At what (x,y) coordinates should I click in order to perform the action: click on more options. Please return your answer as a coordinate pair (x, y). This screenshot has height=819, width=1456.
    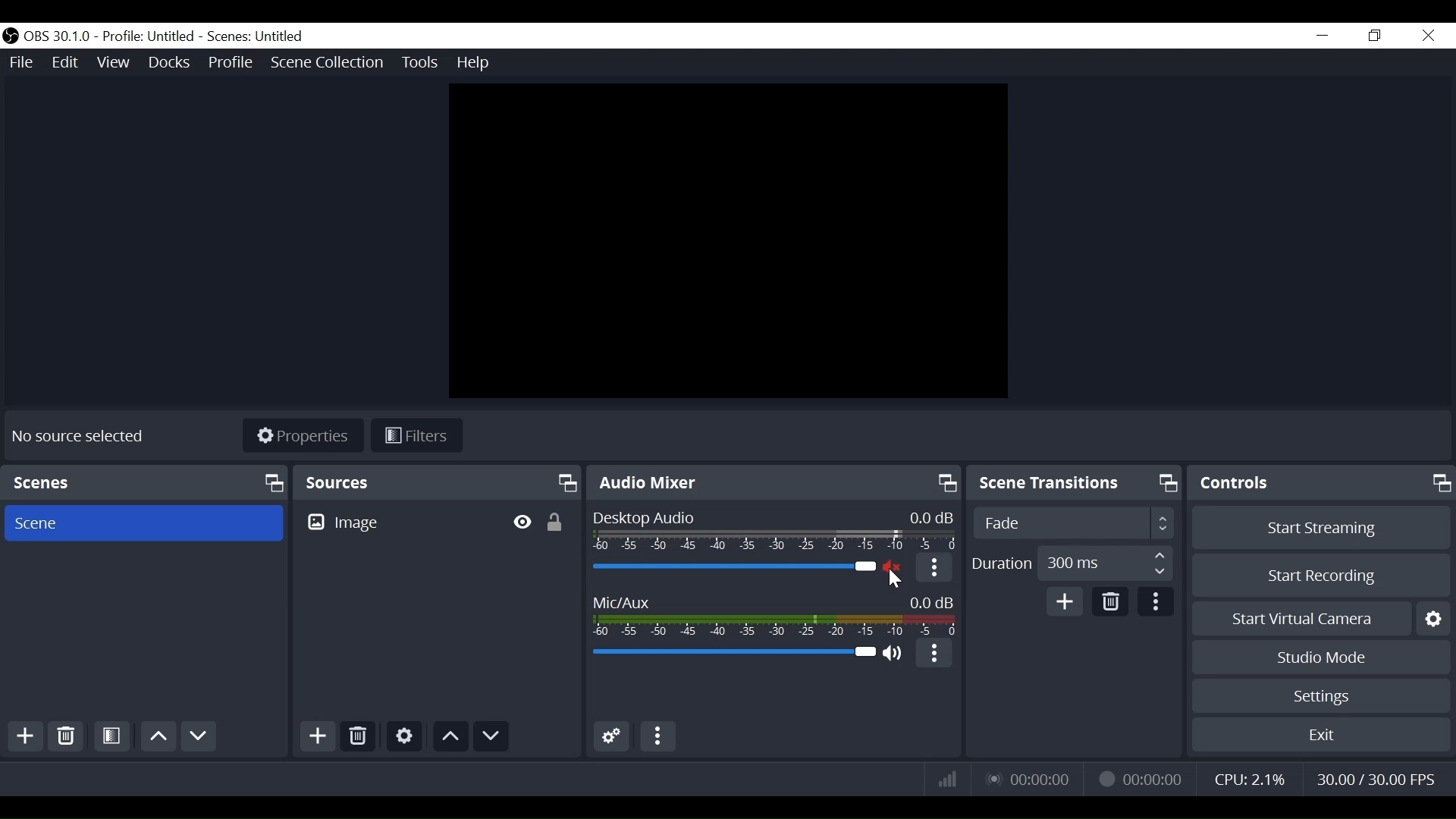
    Looking at the image, I should click on (1157, 601).